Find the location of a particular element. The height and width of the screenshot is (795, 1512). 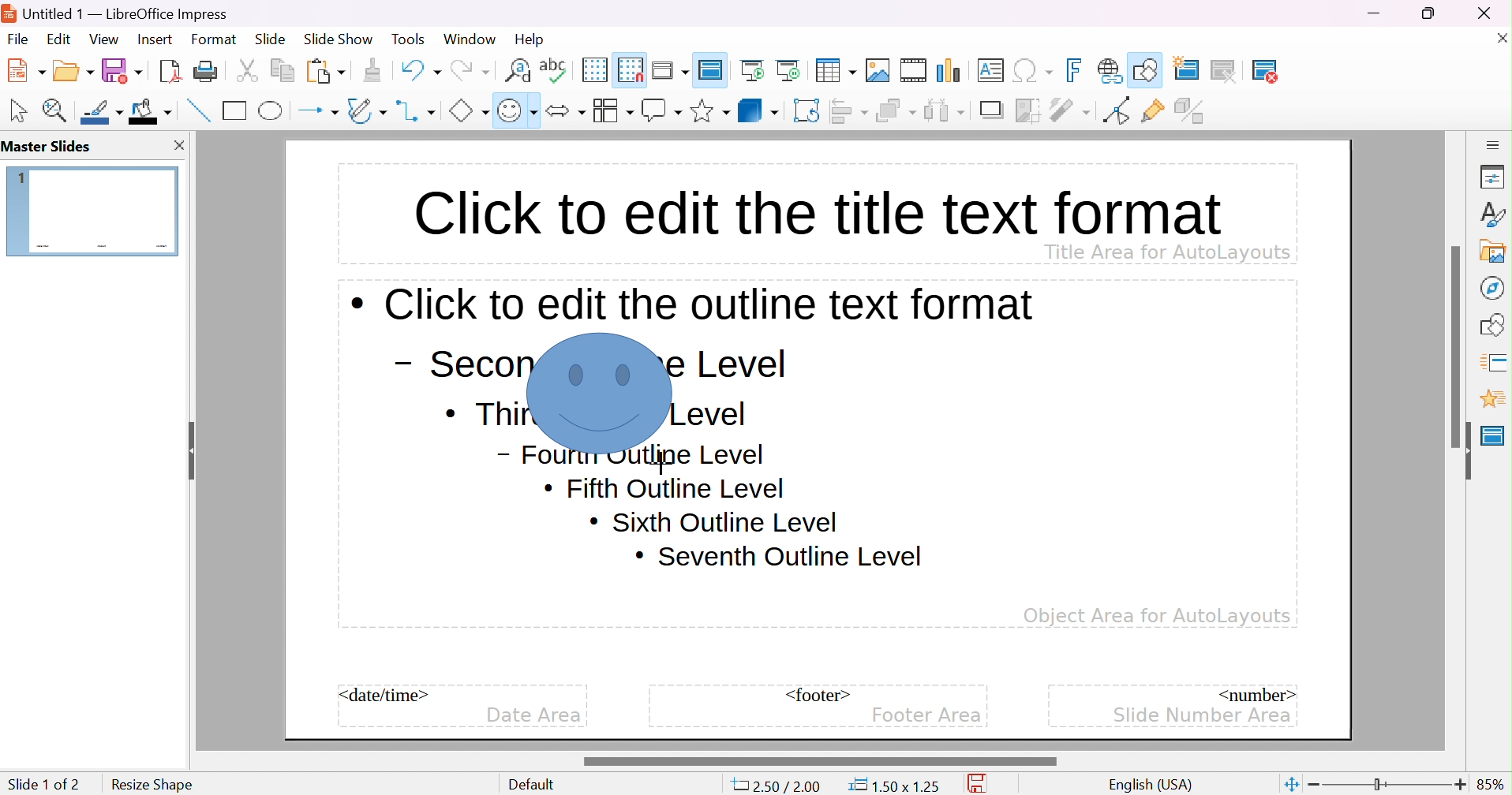

3D onjects is located at coordinates (758, 110).